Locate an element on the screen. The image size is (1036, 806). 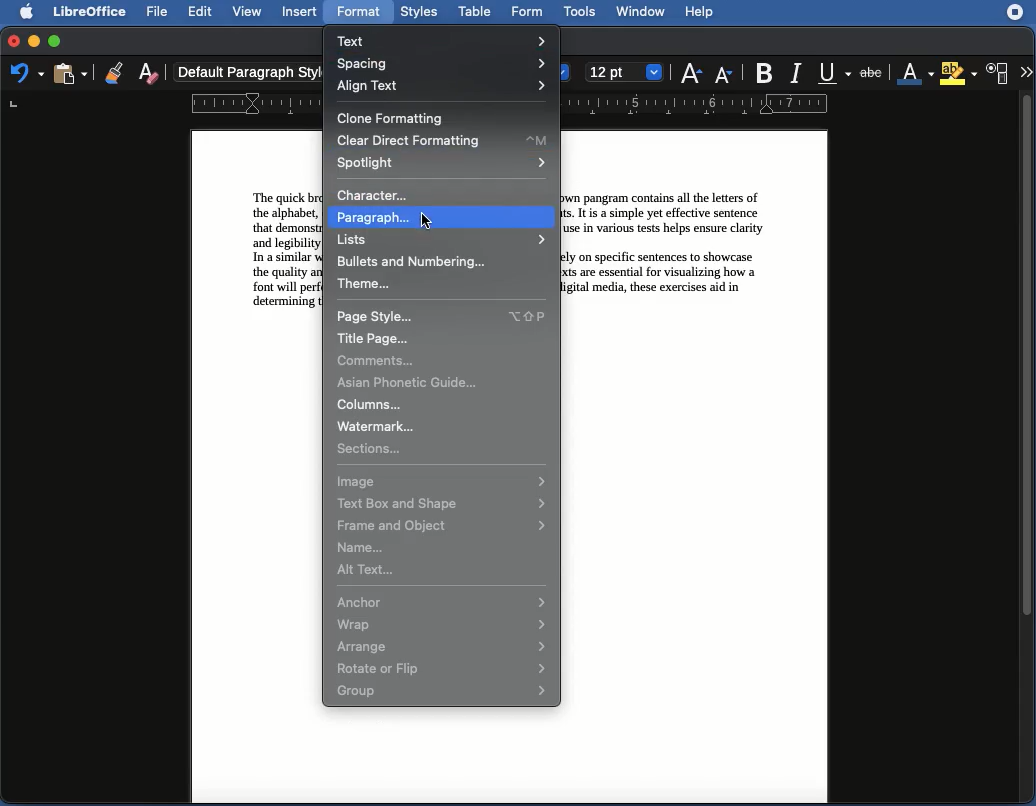
Name is located at coordinates (364, 547).